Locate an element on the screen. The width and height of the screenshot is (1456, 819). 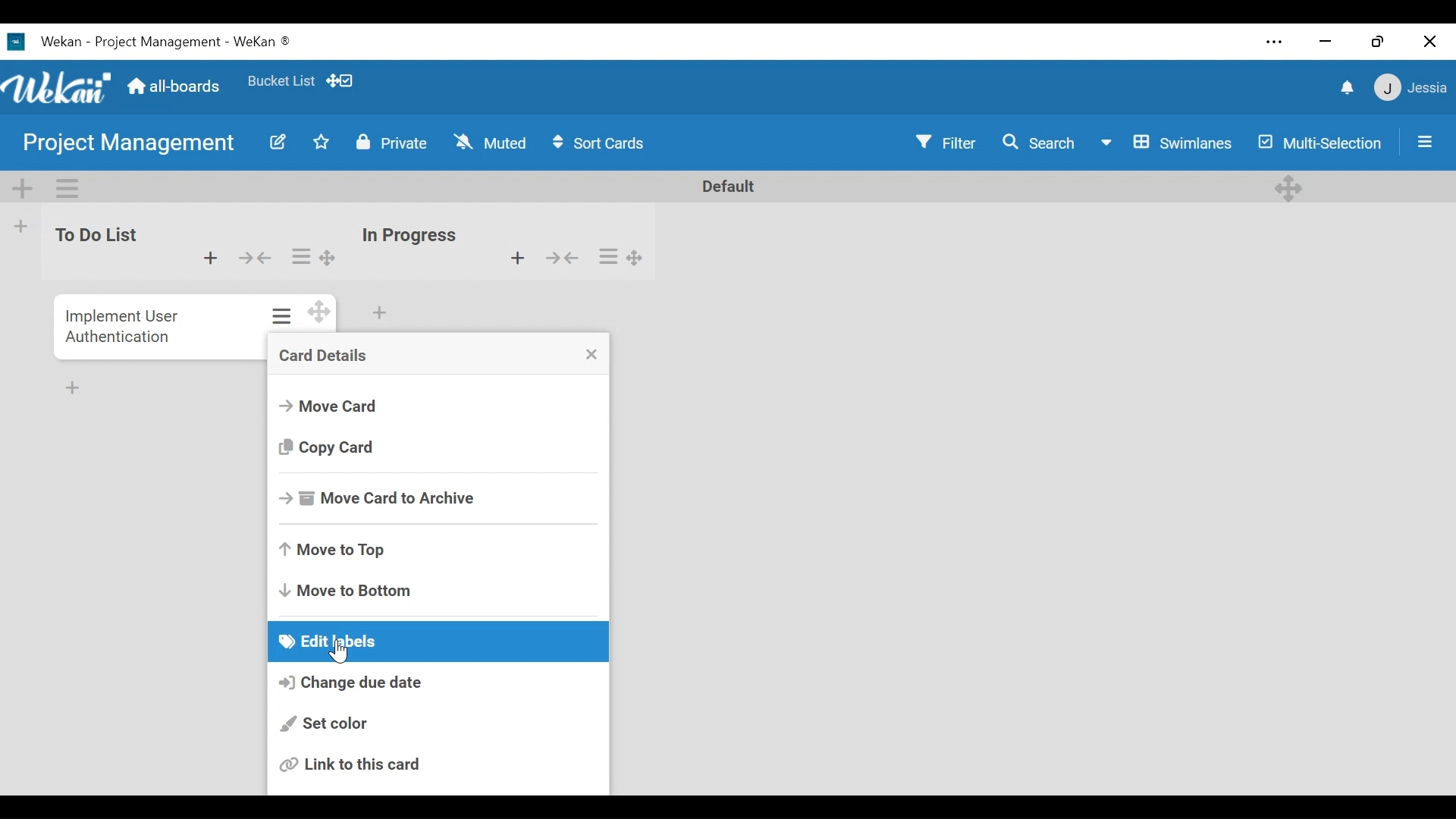
minimize is located at coordinates (1328, 43).